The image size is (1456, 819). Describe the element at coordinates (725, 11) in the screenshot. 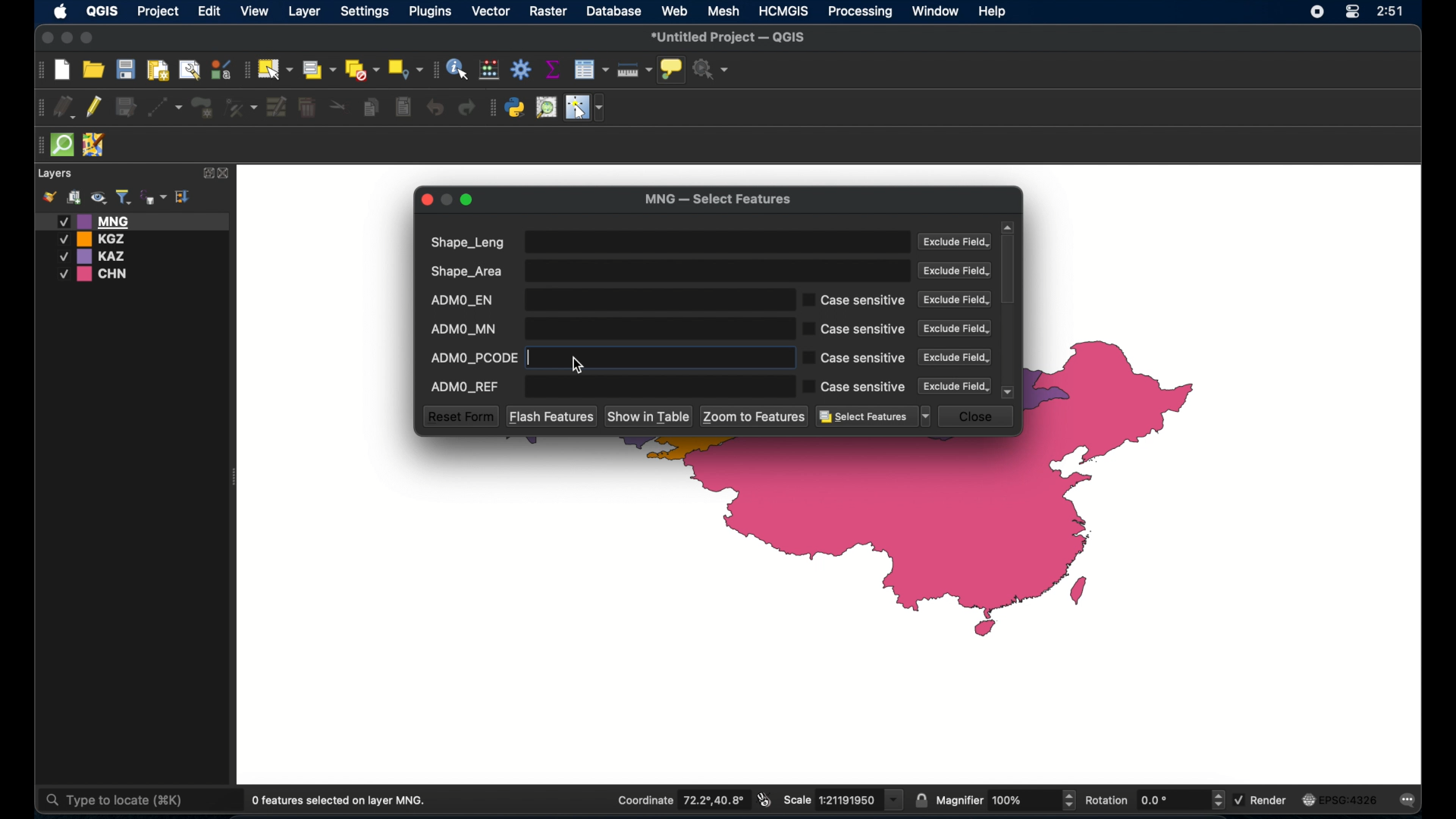

I see `mesh` at that location.